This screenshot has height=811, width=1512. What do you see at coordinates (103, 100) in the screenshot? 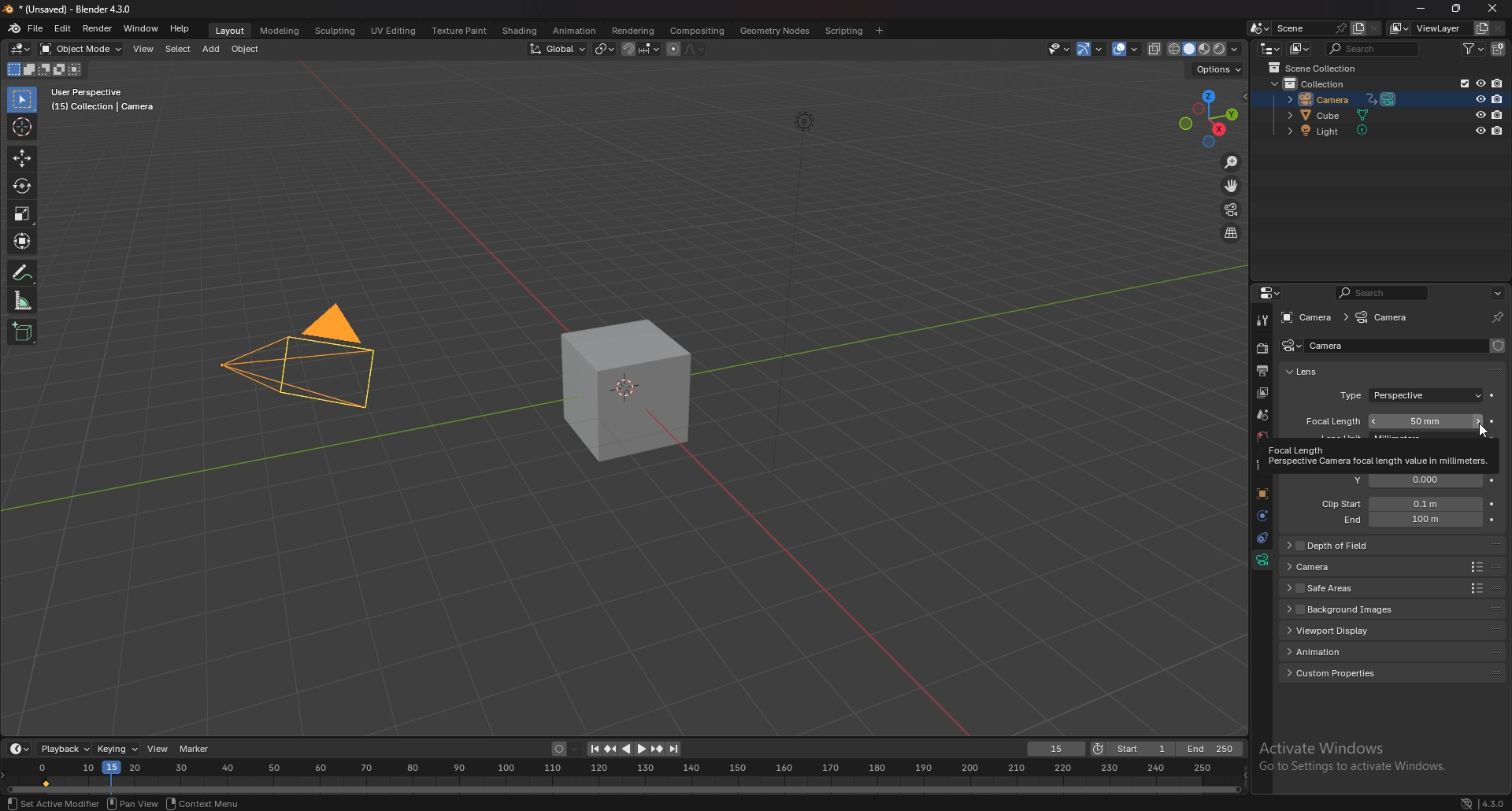
I see `info` at bounding box center [103, 100].